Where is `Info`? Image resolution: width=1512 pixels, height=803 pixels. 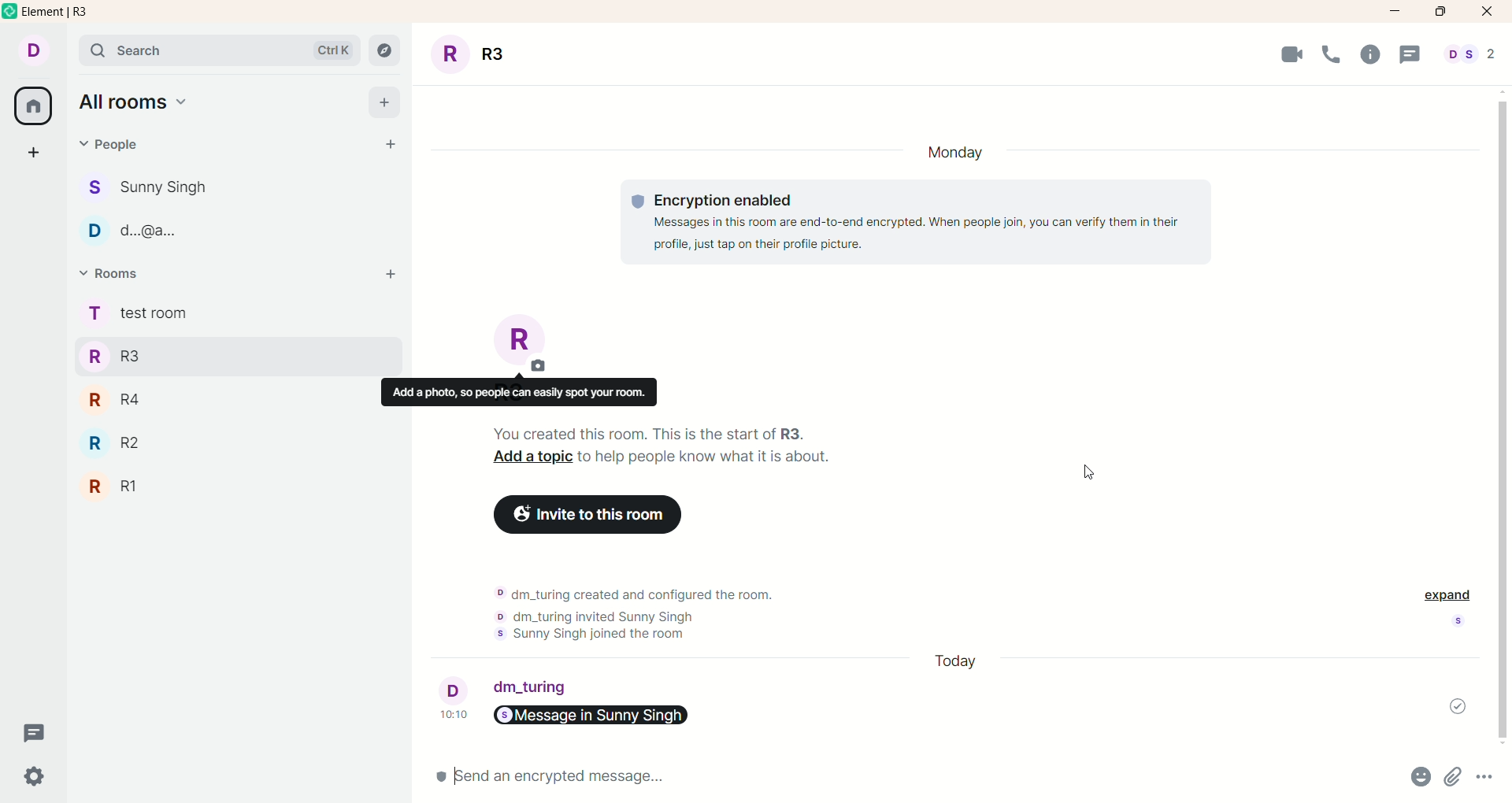 Info is located at coordinates (1371, 51).